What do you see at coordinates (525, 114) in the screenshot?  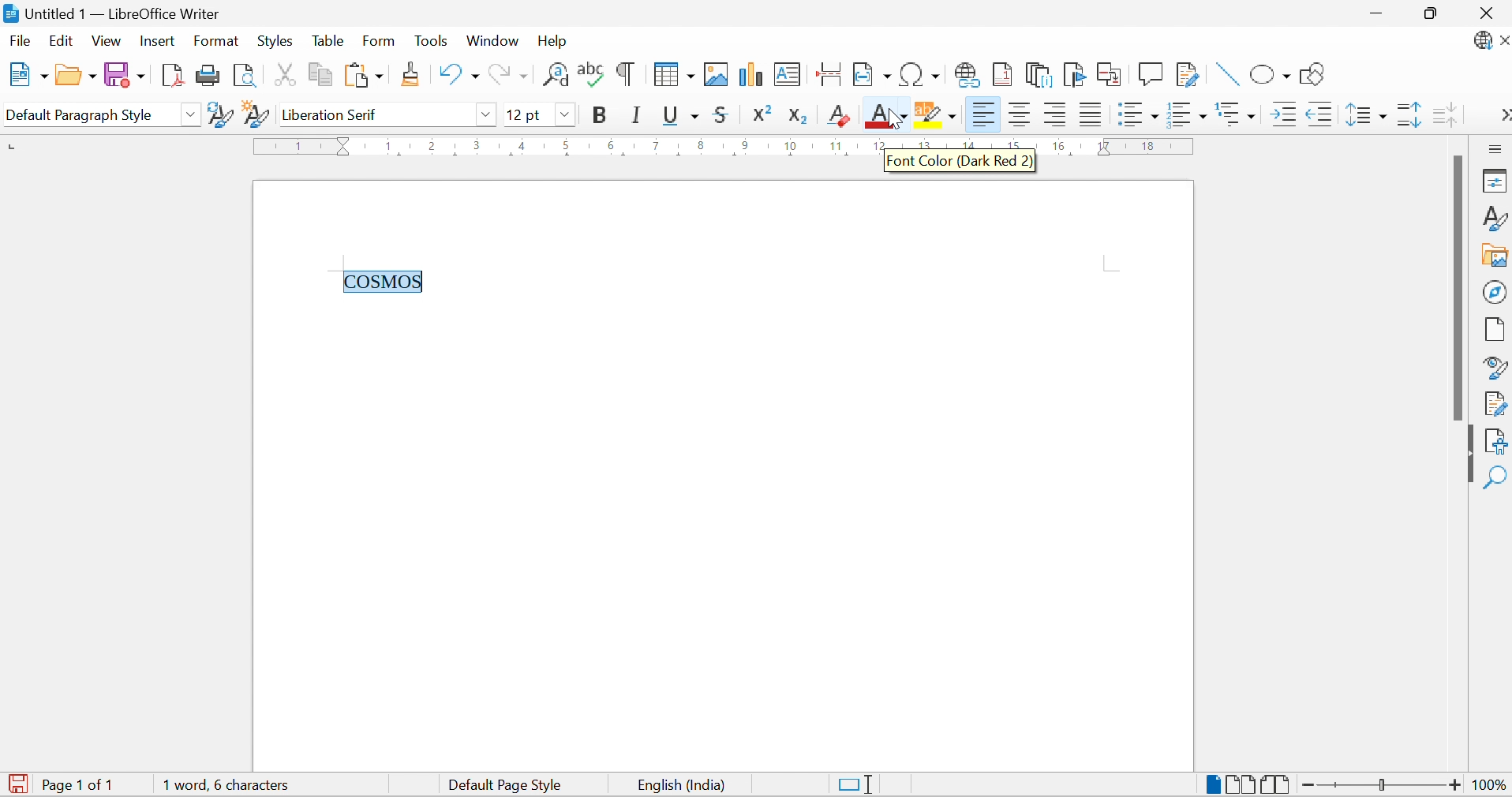 I see `12pt` at bounding box center [525, 114].